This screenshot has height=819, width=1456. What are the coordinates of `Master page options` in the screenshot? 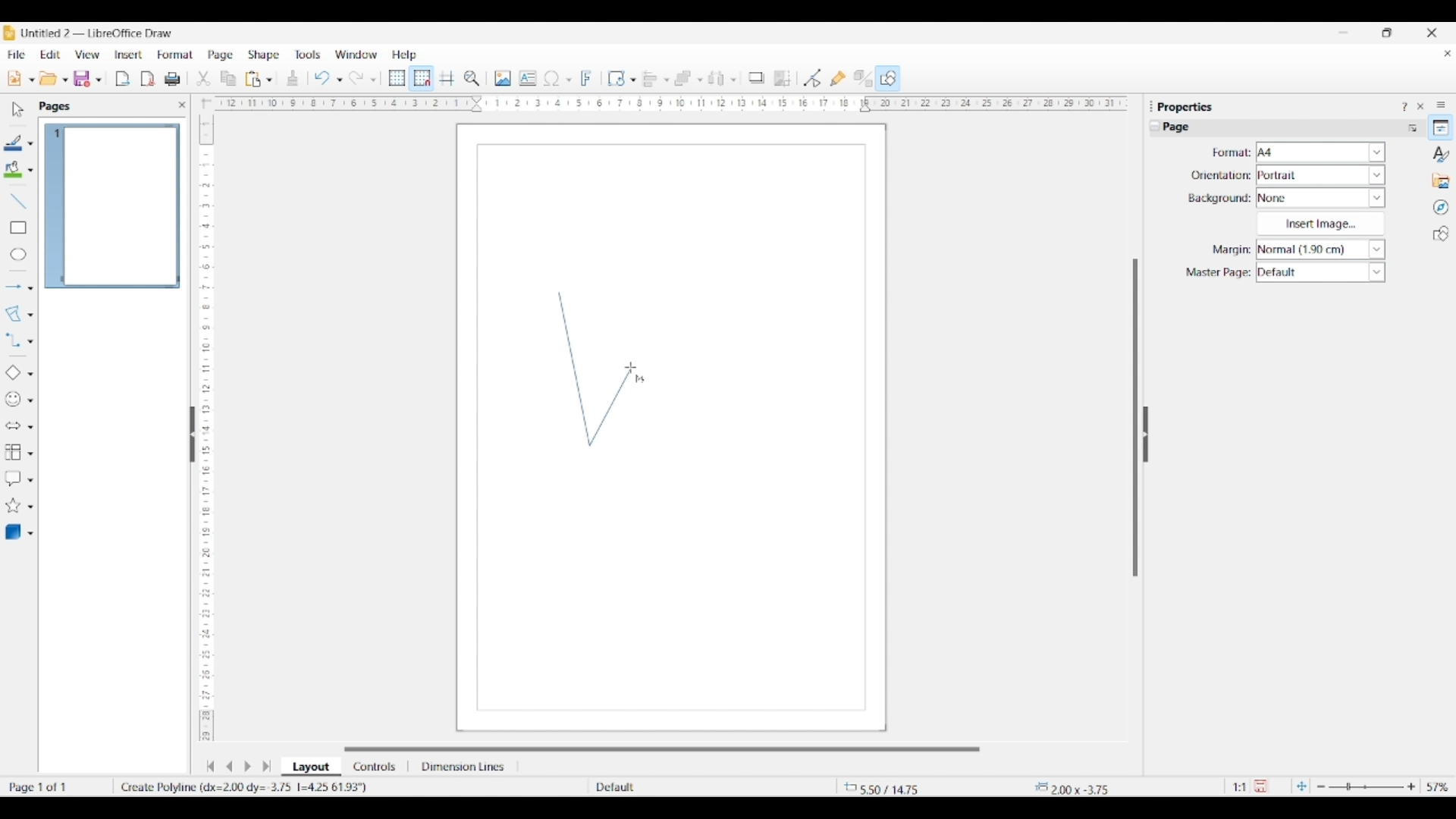 It's located at (1320, 272).